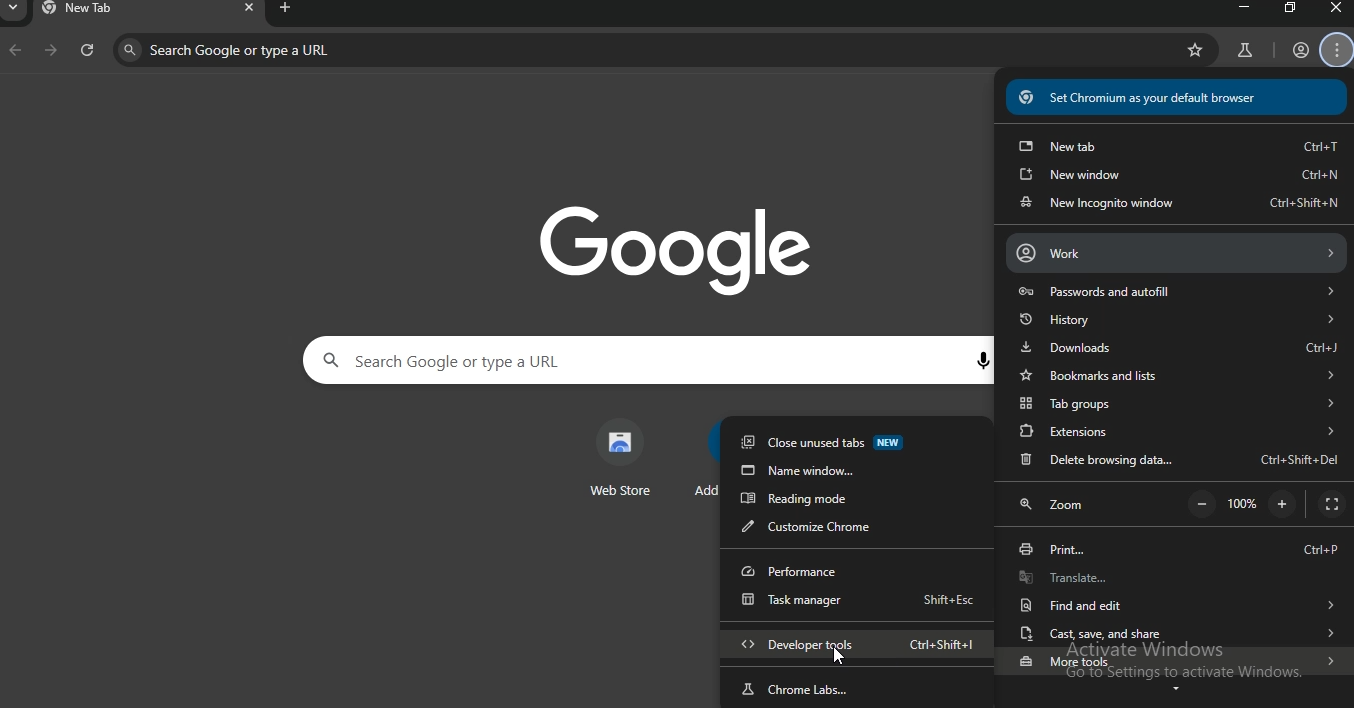 This screenshot has height=708, width=1354. Describe the element at coordinates (1176, 428) in the screenshot. I see `extensions` at that location.